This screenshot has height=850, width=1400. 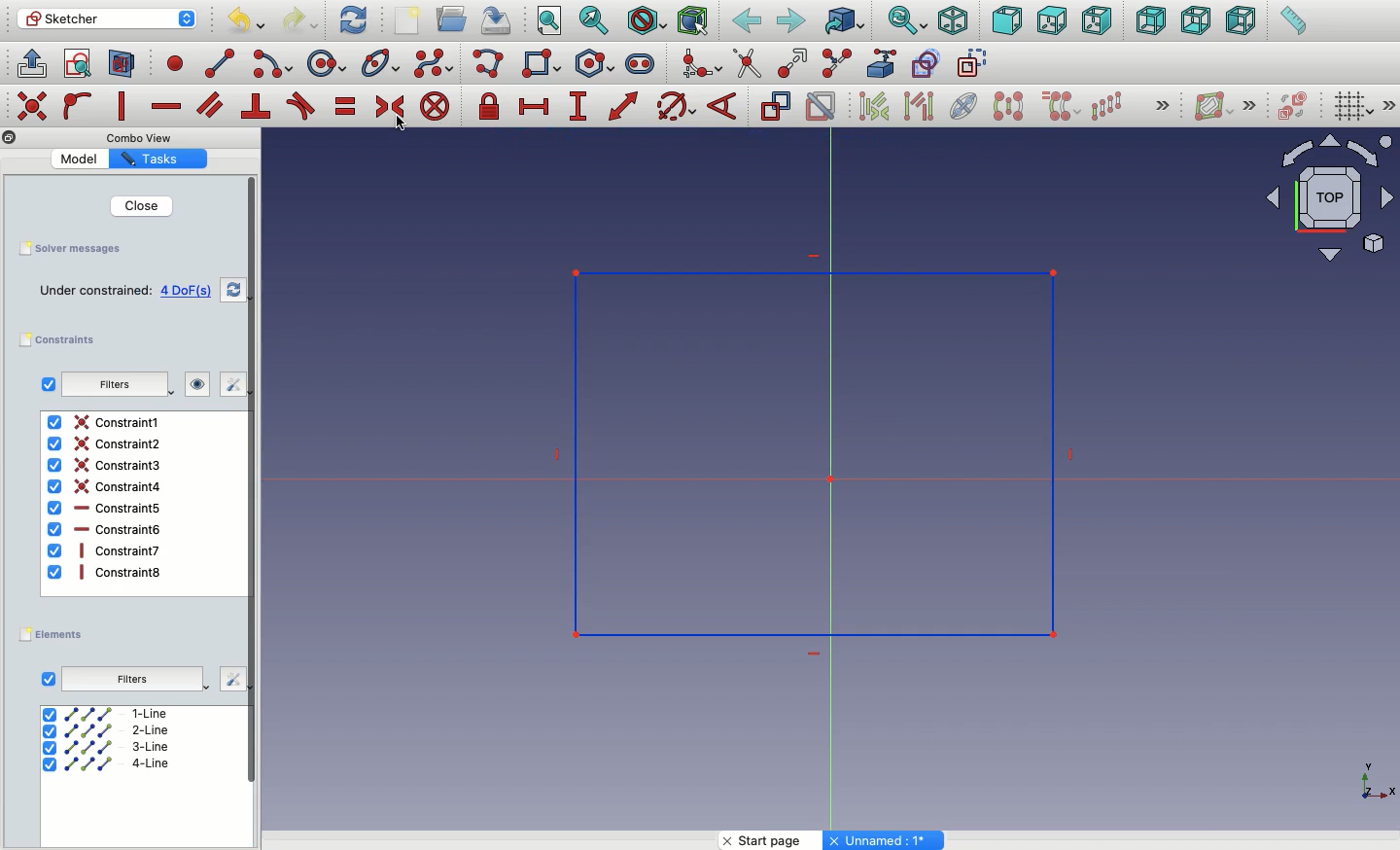 I want to click on constrain equal, so click(x=346, y=106).